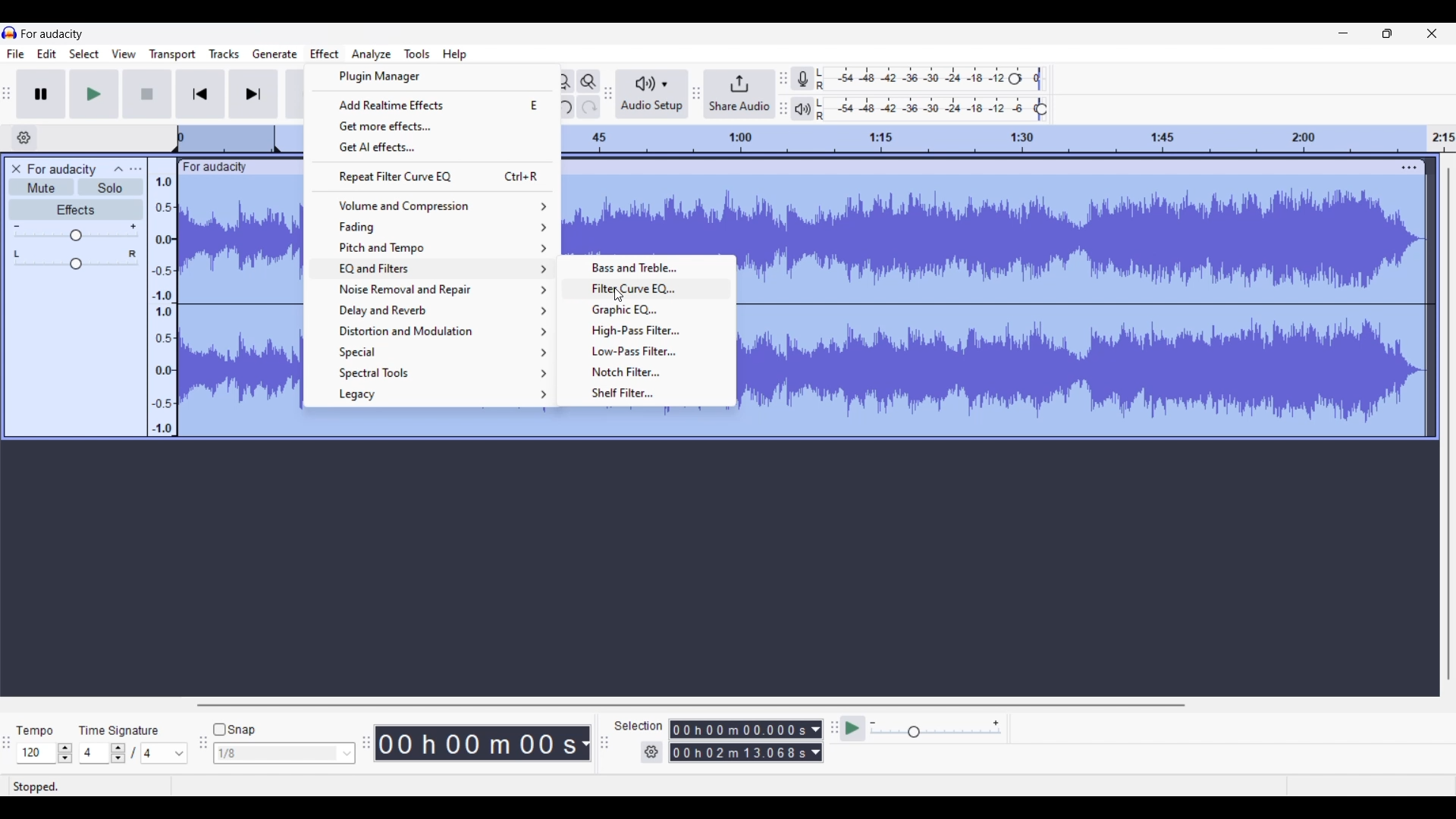  I want to click on Snap toggle, so click(234, 730).